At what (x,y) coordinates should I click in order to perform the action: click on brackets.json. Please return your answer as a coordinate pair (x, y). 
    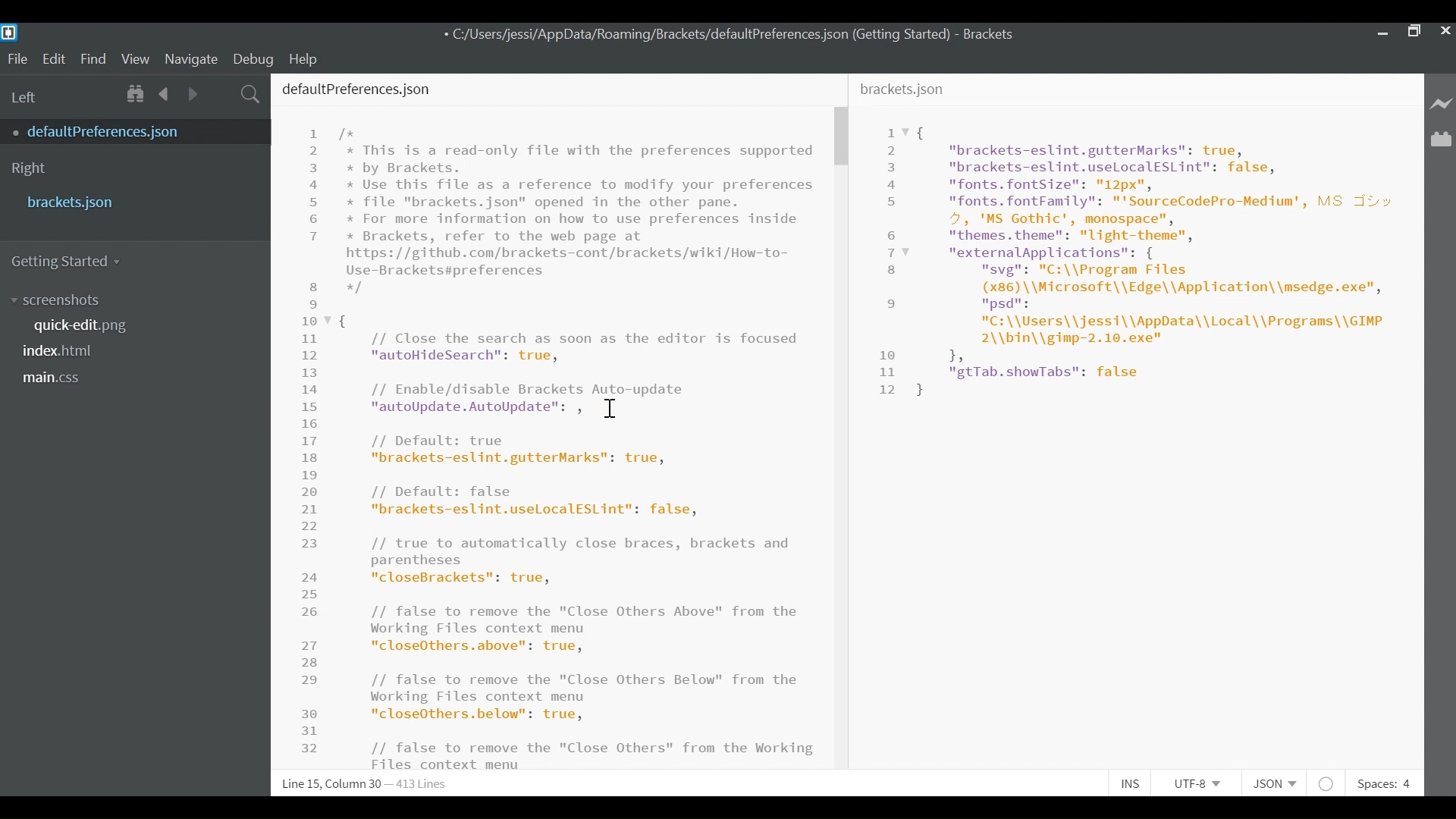
    Looking at the image, I should click on (131, 202).